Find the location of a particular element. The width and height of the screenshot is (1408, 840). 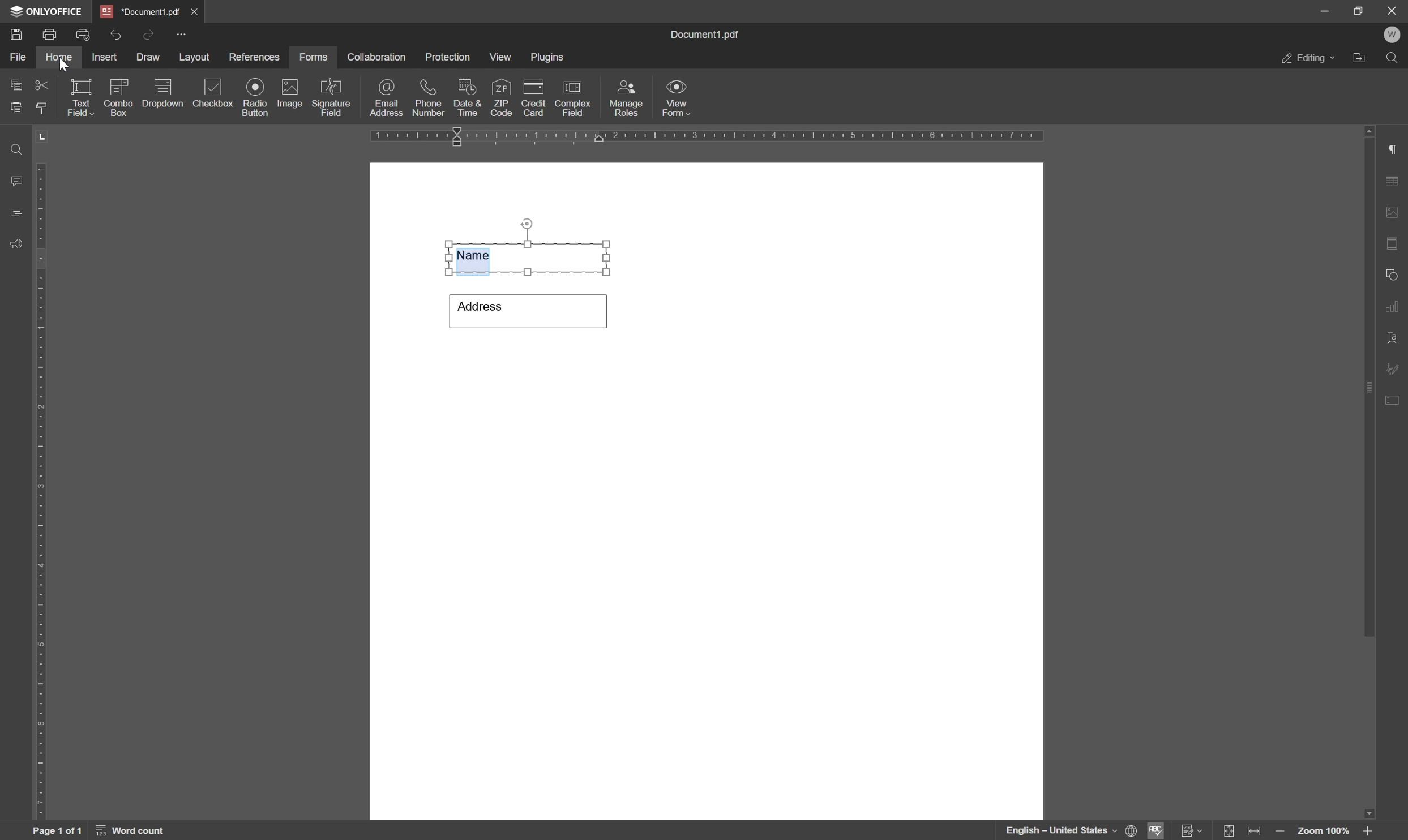

headings is located at coordinates (12, 213).